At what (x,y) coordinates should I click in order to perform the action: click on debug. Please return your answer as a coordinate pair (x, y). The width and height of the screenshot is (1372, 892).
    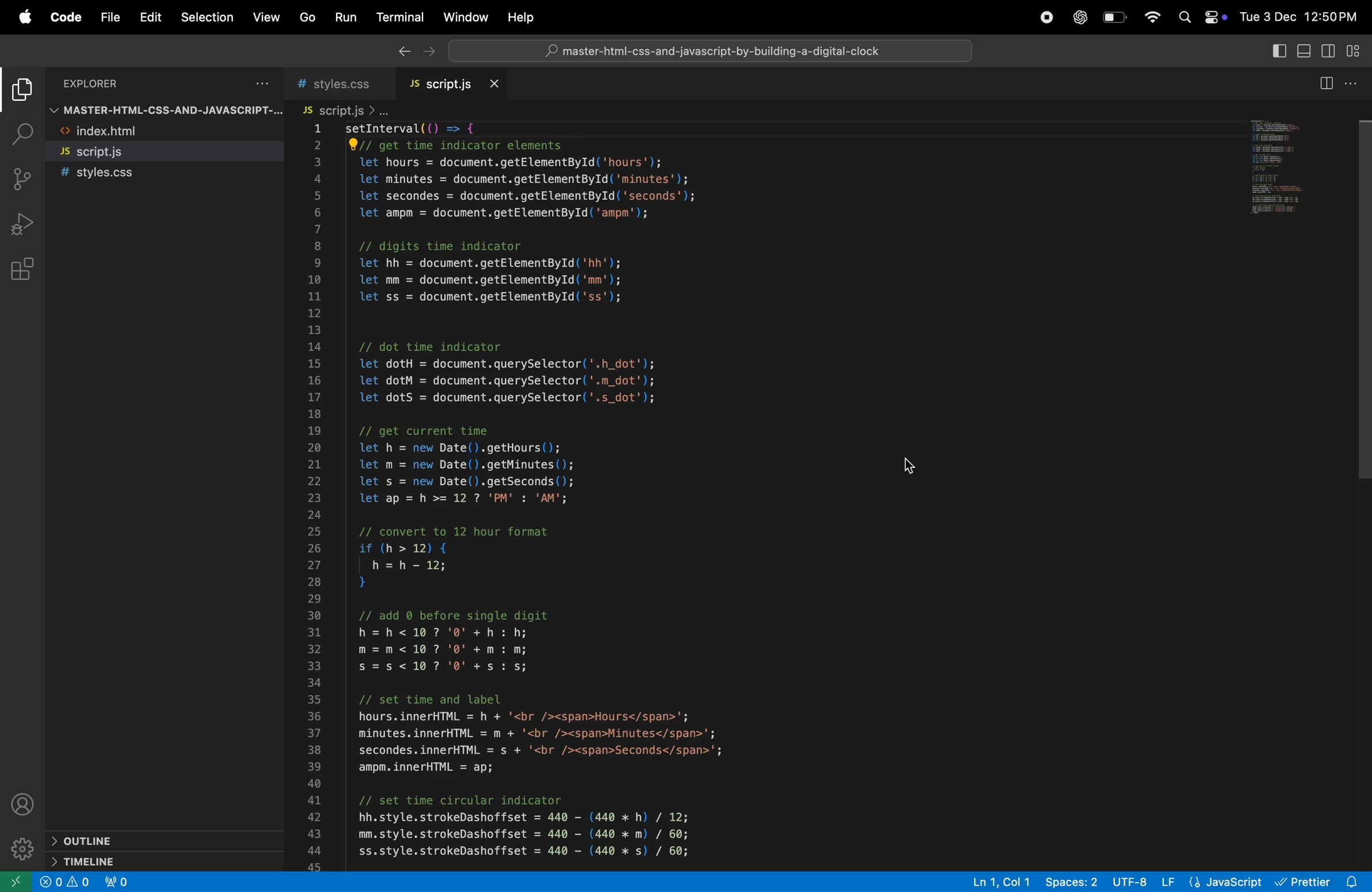
    Looking at the image, I should click on (22, 225).